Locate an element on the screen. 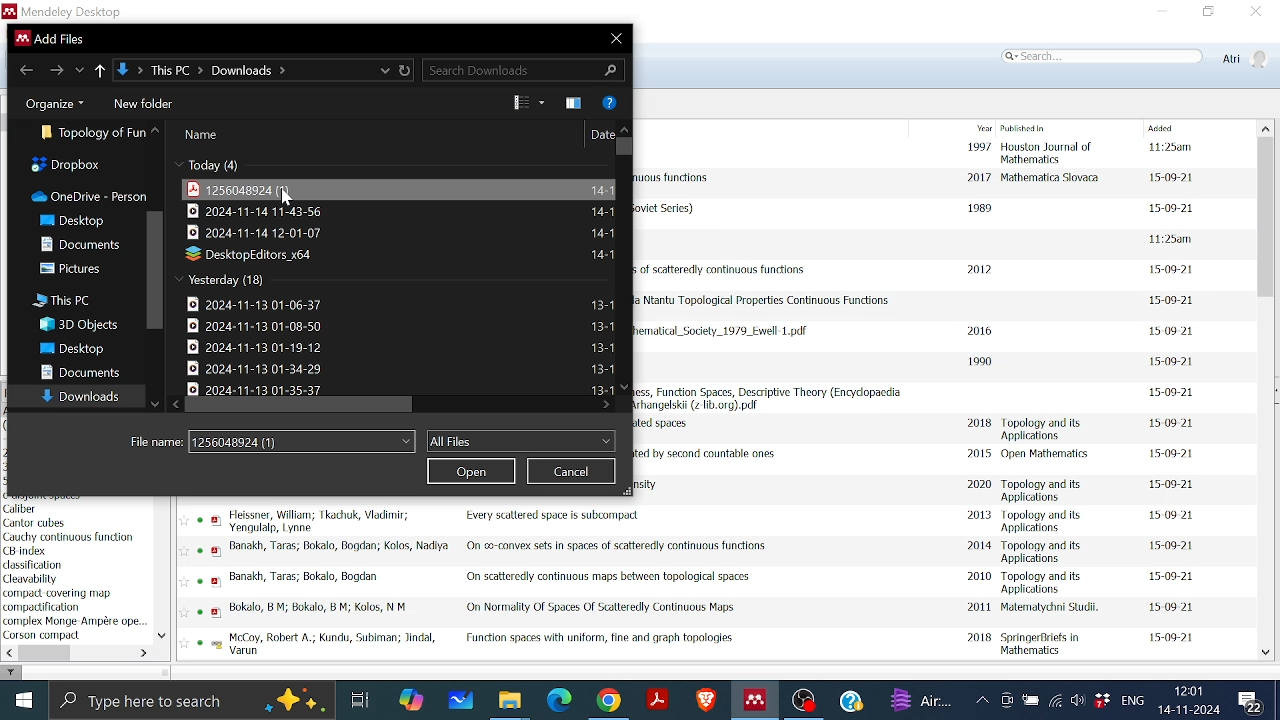 The image size is (1280, 720). pdf is located at coordinates (218, 645).